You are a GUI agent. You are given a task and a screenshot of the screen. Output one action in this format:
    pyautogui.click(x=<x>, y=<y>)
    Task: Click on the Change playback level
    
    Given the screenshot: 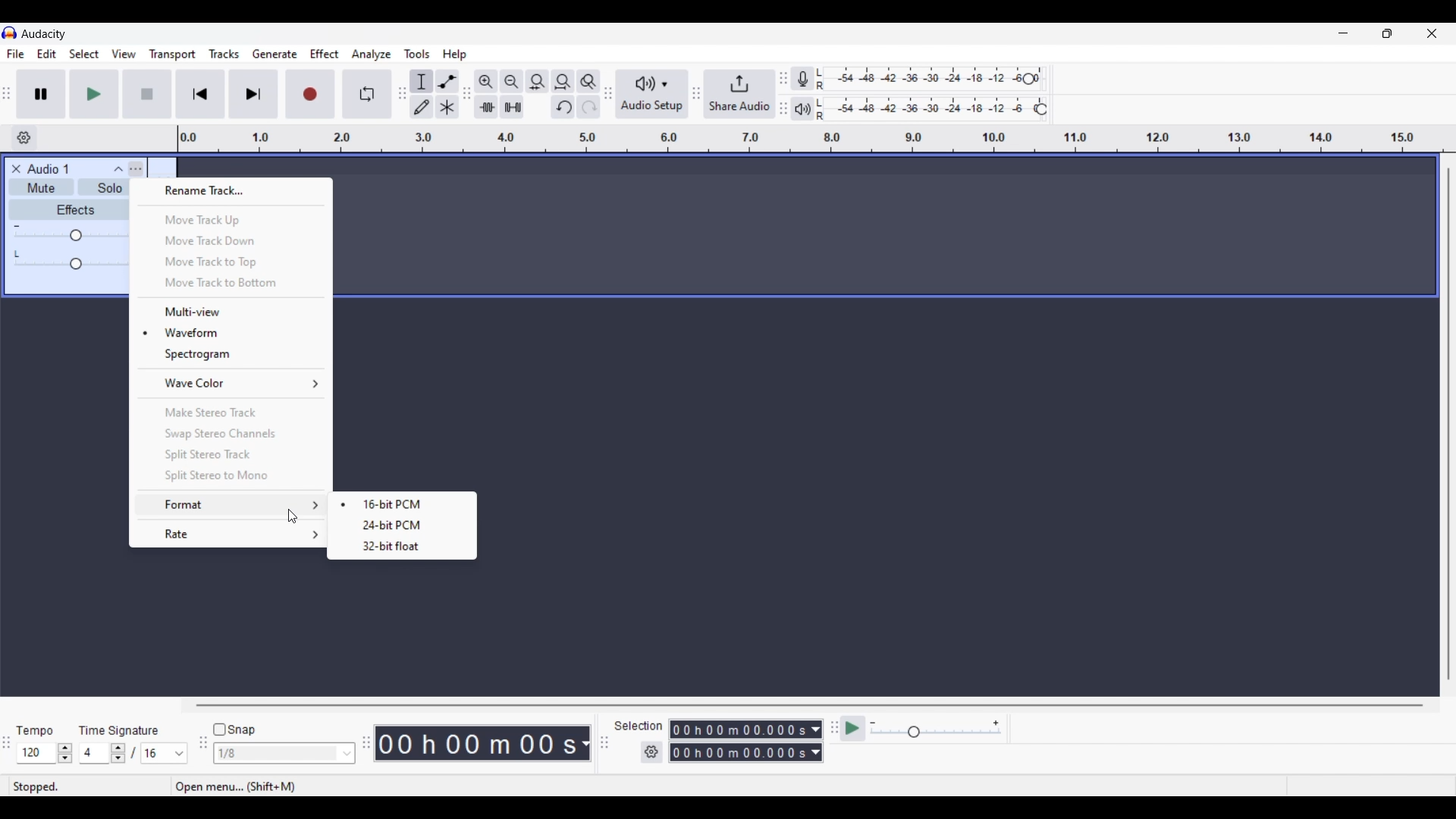 What is the action you would take?
    pyautogui.click(x=1041, y=110)
    